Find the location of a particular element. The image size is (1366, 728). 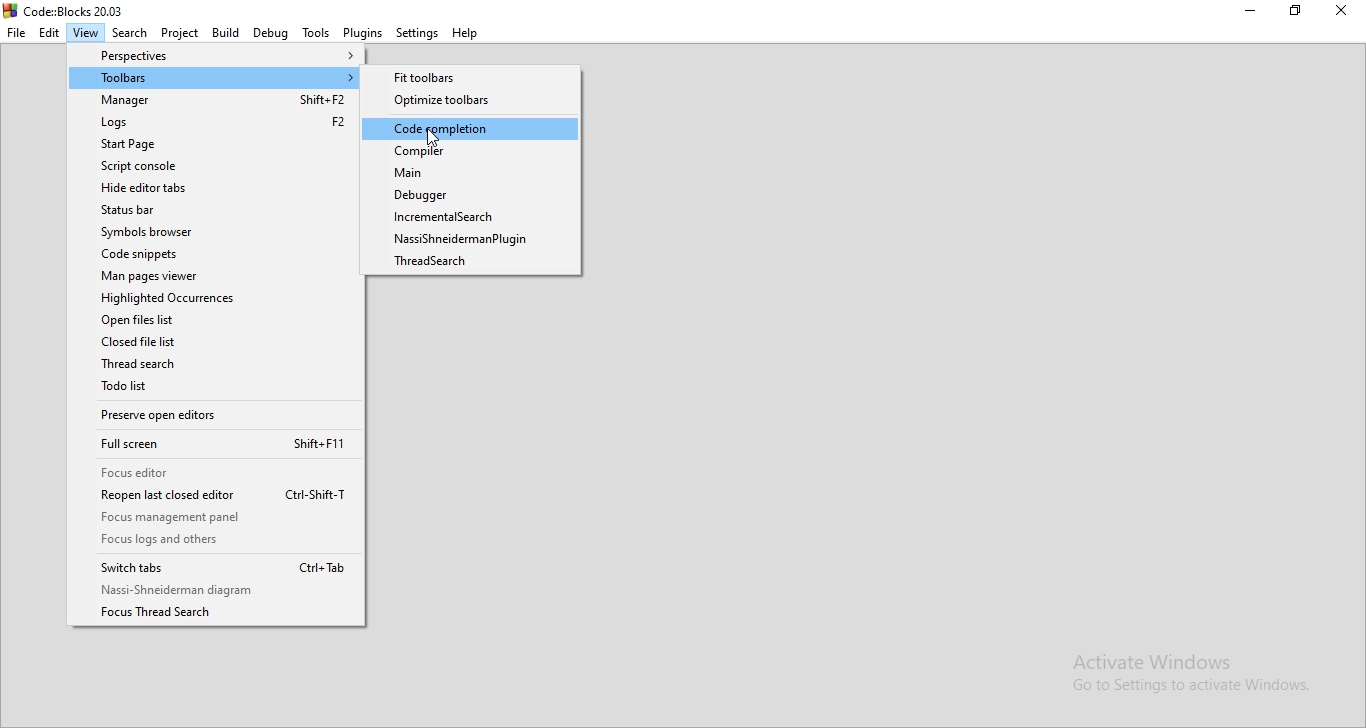

Code snippets is located at coordinates (217, 253).